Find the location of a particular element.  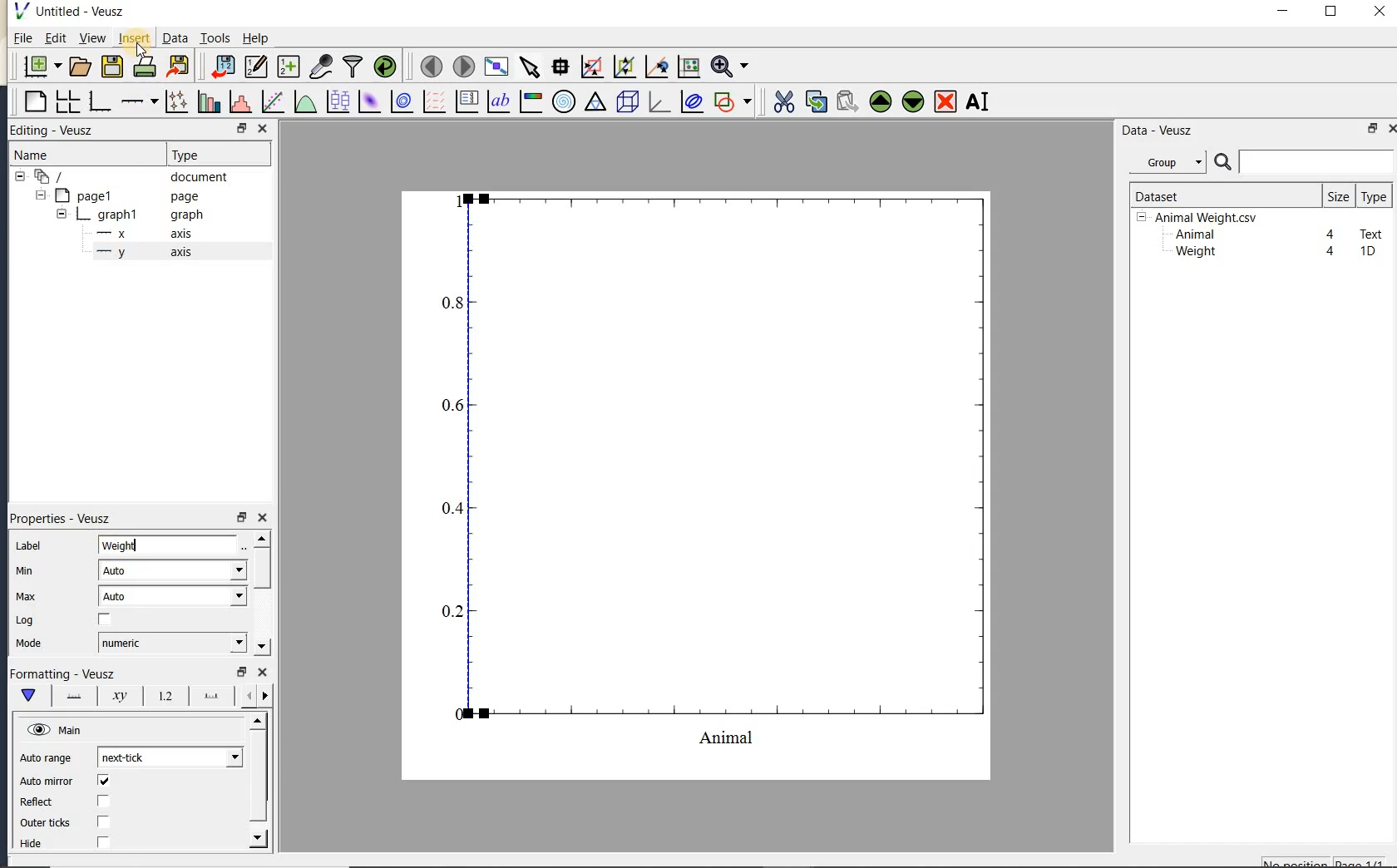

axis line is located at coordinates (71, 696).